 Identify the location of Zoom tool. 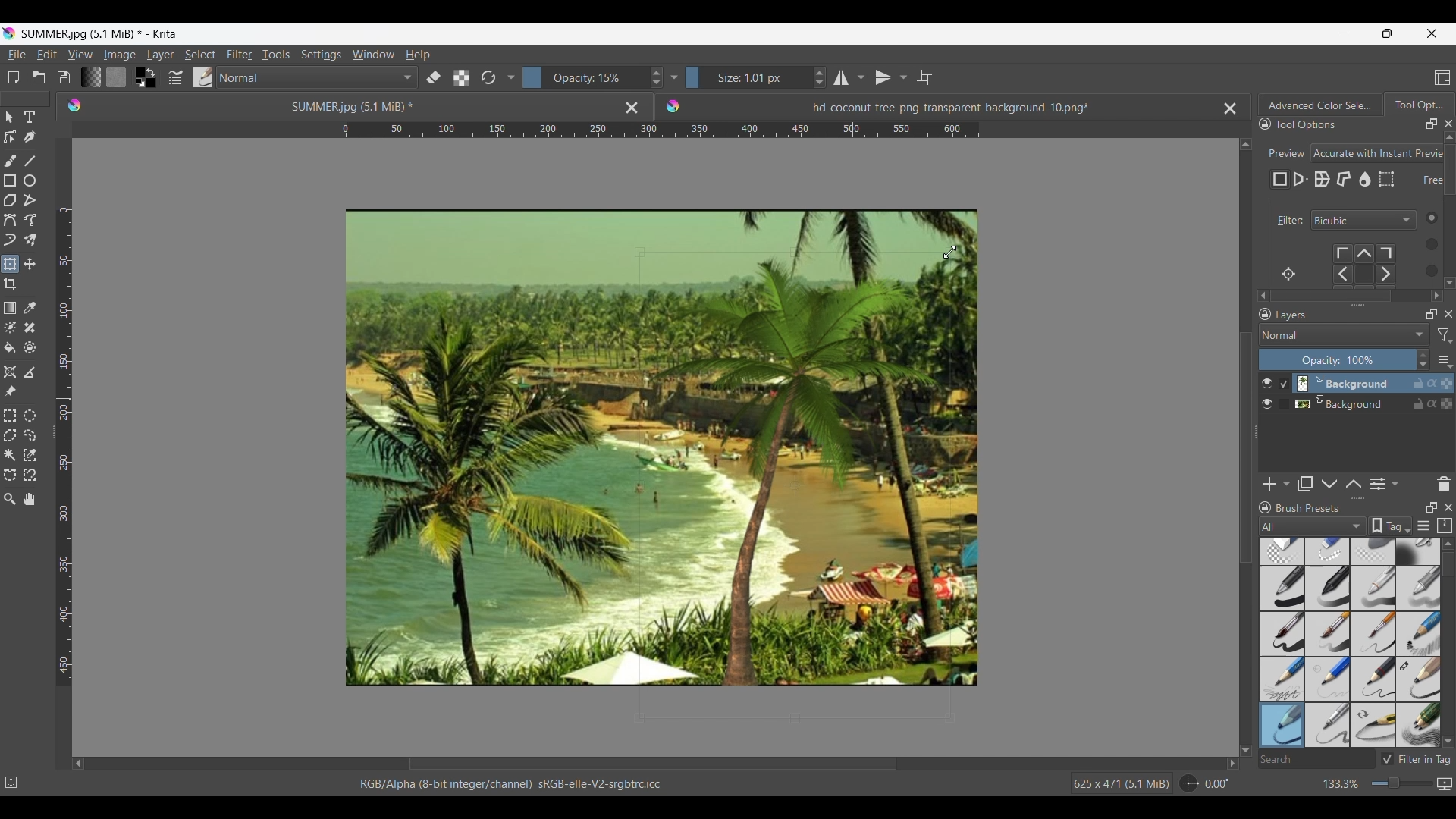
(10, 499).